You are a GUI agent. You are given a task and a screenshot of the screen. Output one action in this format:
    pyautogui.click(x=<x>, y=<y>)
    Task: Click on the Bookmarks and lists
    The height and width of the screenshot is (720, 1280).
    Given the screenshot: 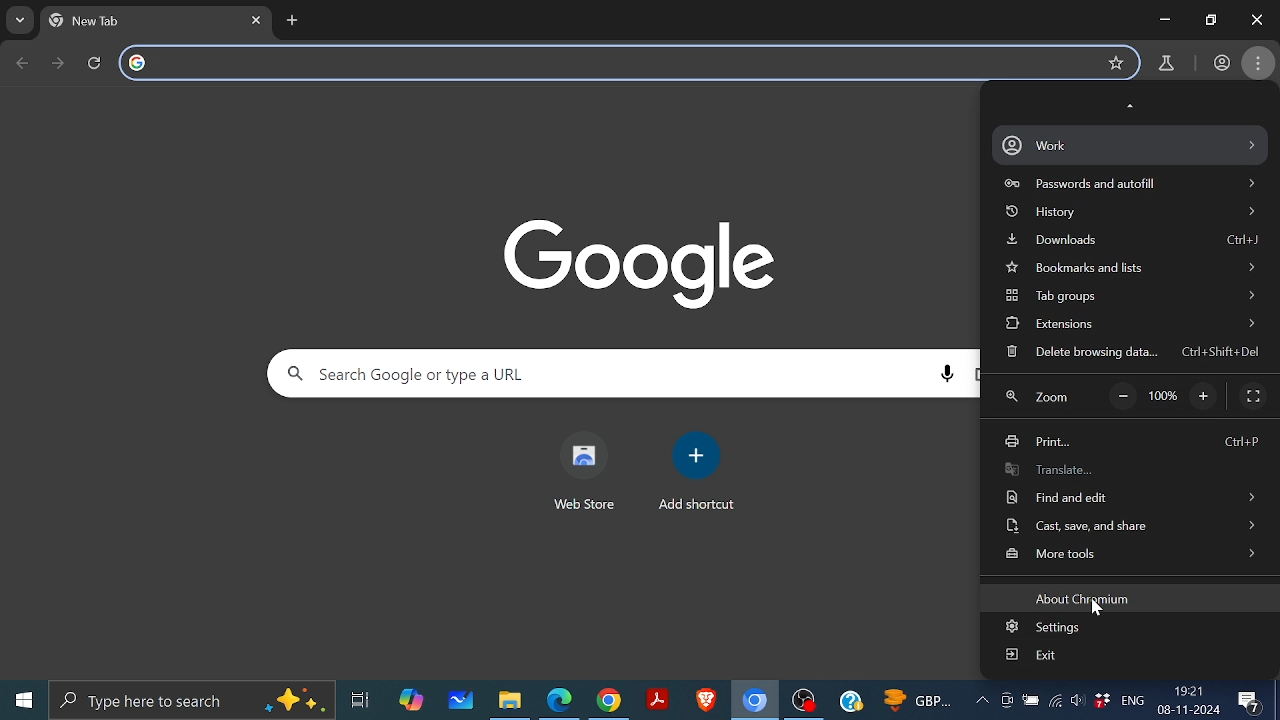 What is the action you would take?
    pyautogui.click(x=1135, y=269)
    